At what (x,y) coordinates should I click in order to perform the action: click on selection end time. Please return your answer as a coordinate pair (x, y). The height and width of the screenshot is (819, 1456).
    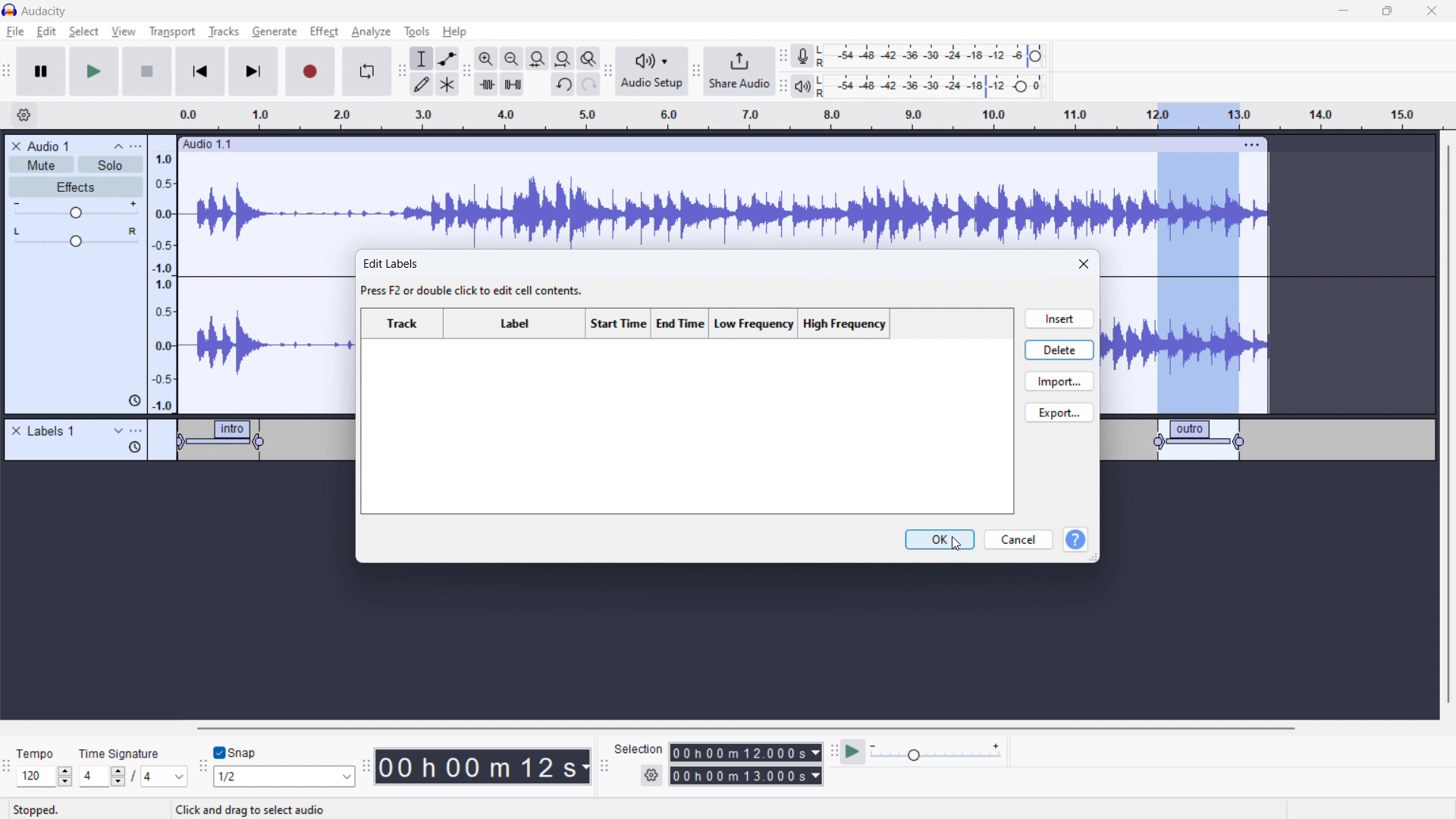
    Looking at the image, I should click on (747, 776).